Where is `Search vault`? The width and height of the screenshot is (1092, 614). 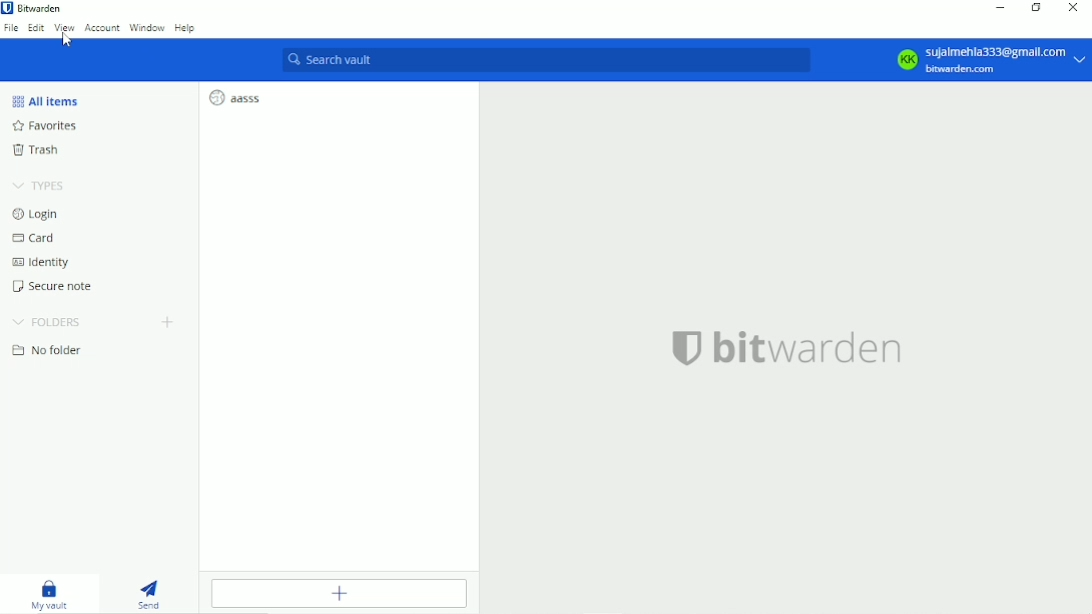 Search vault is located at coordinates (549, 61).